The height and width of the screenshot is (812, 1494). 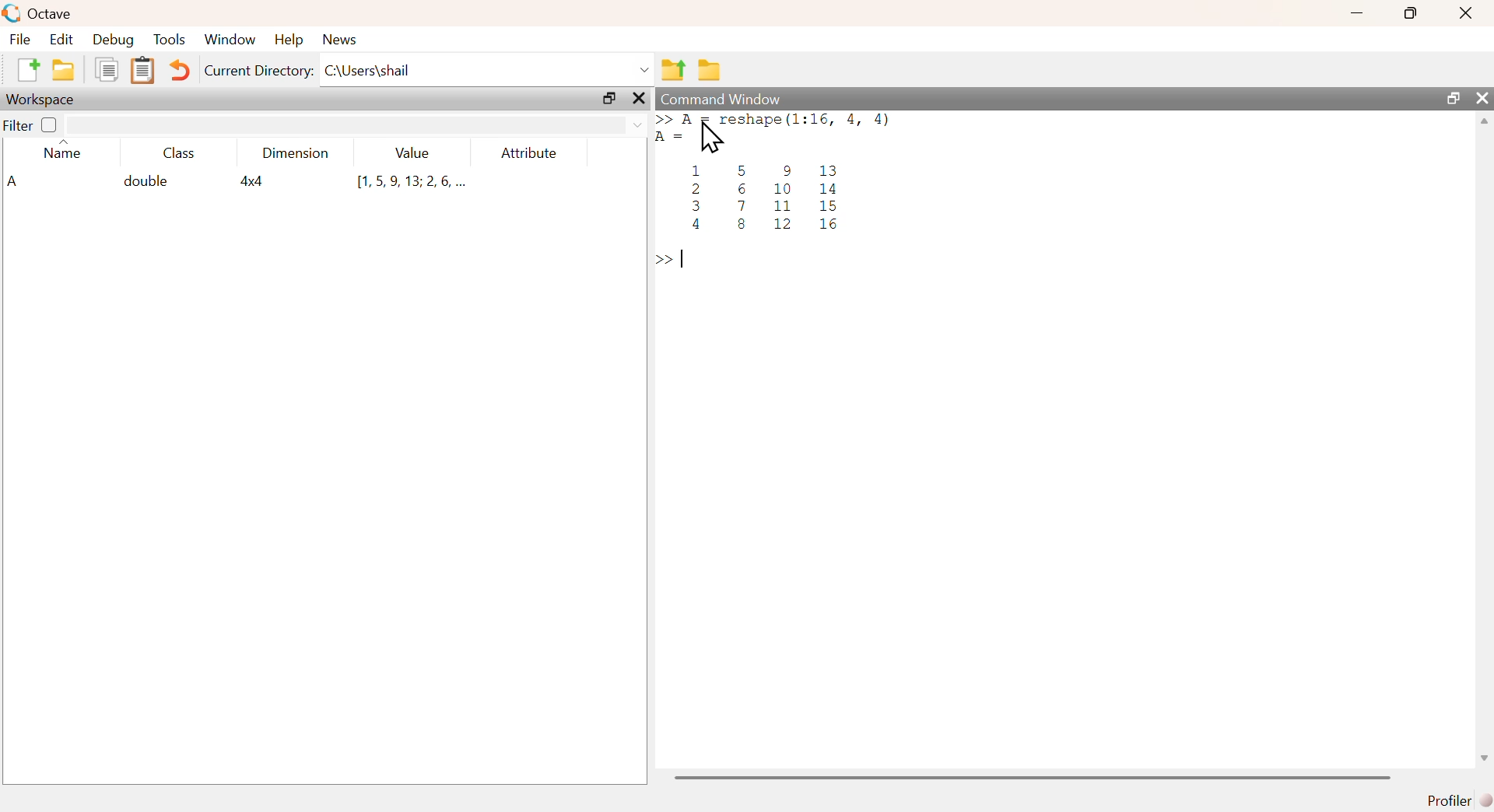 What do you see at coordinates (232, 39) in the screenshot?
I see `window` at bounding box center [232, 39].